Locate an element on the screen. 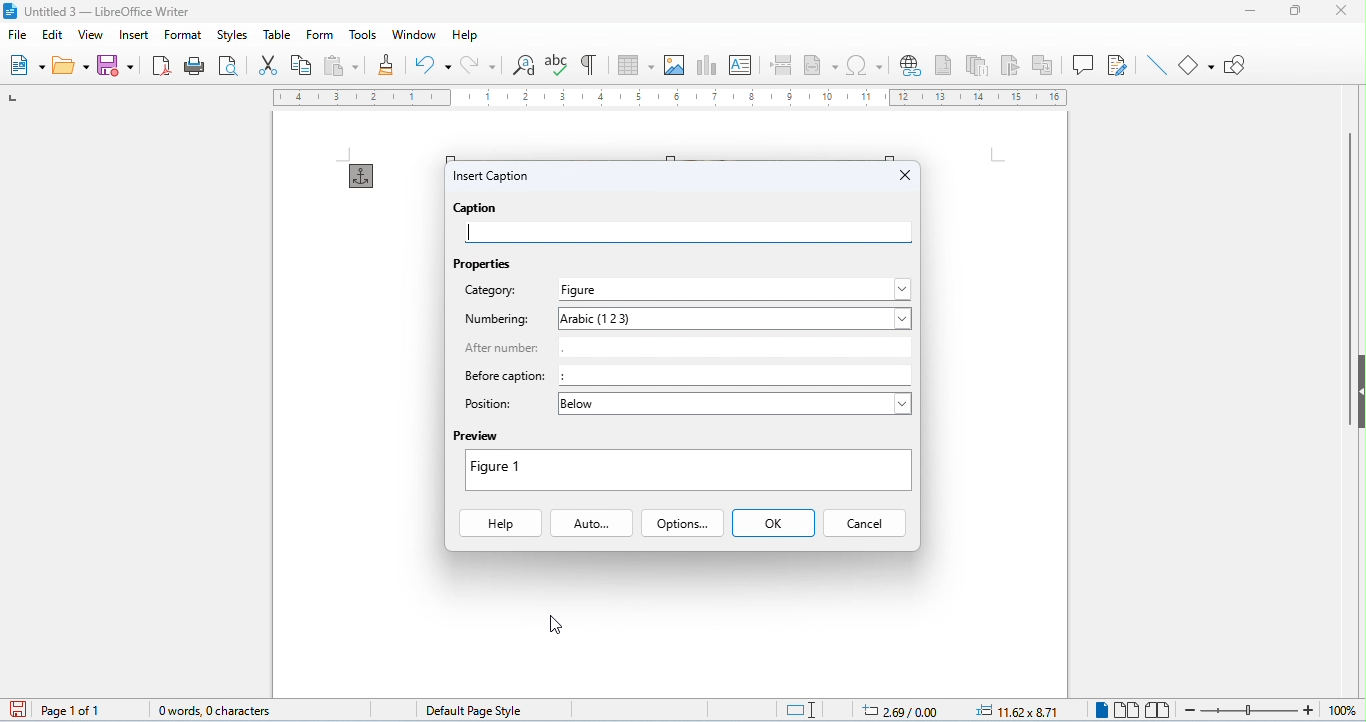 The height and width of the screenshot is (722, 1366). object position is located at coordinates (1019, 710).